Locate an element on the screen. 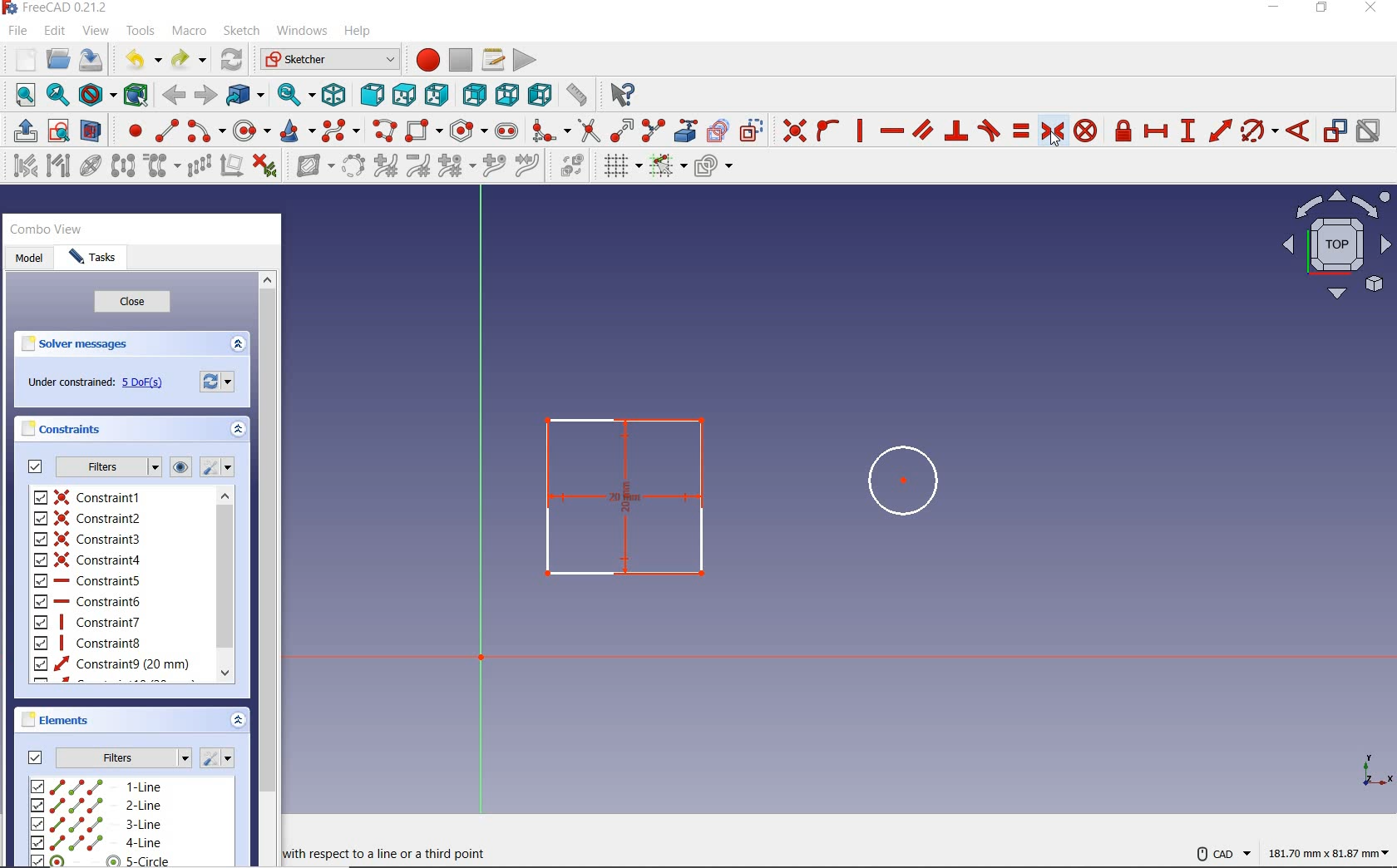 This screenshot has height=868, width=1397. filters is located at coordinates (107, 467).